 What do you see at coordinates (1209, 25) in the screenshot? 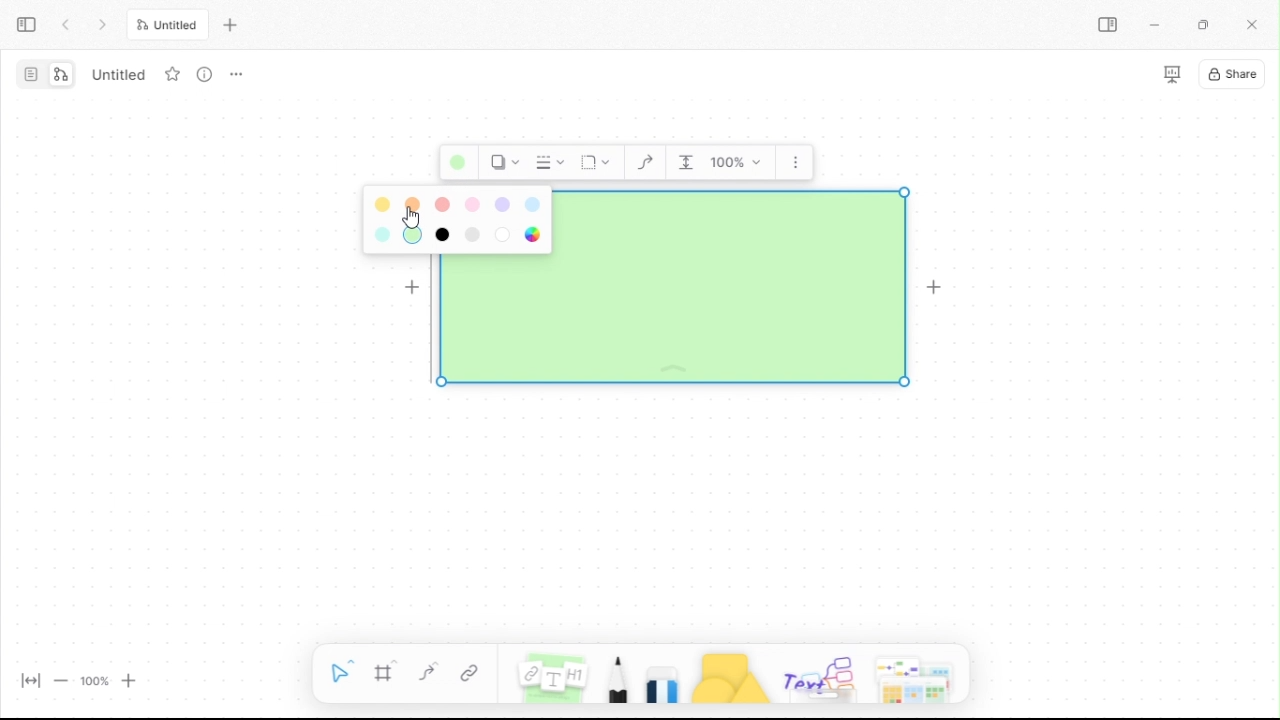
I see `restore` at bounding box center [1209, 25].